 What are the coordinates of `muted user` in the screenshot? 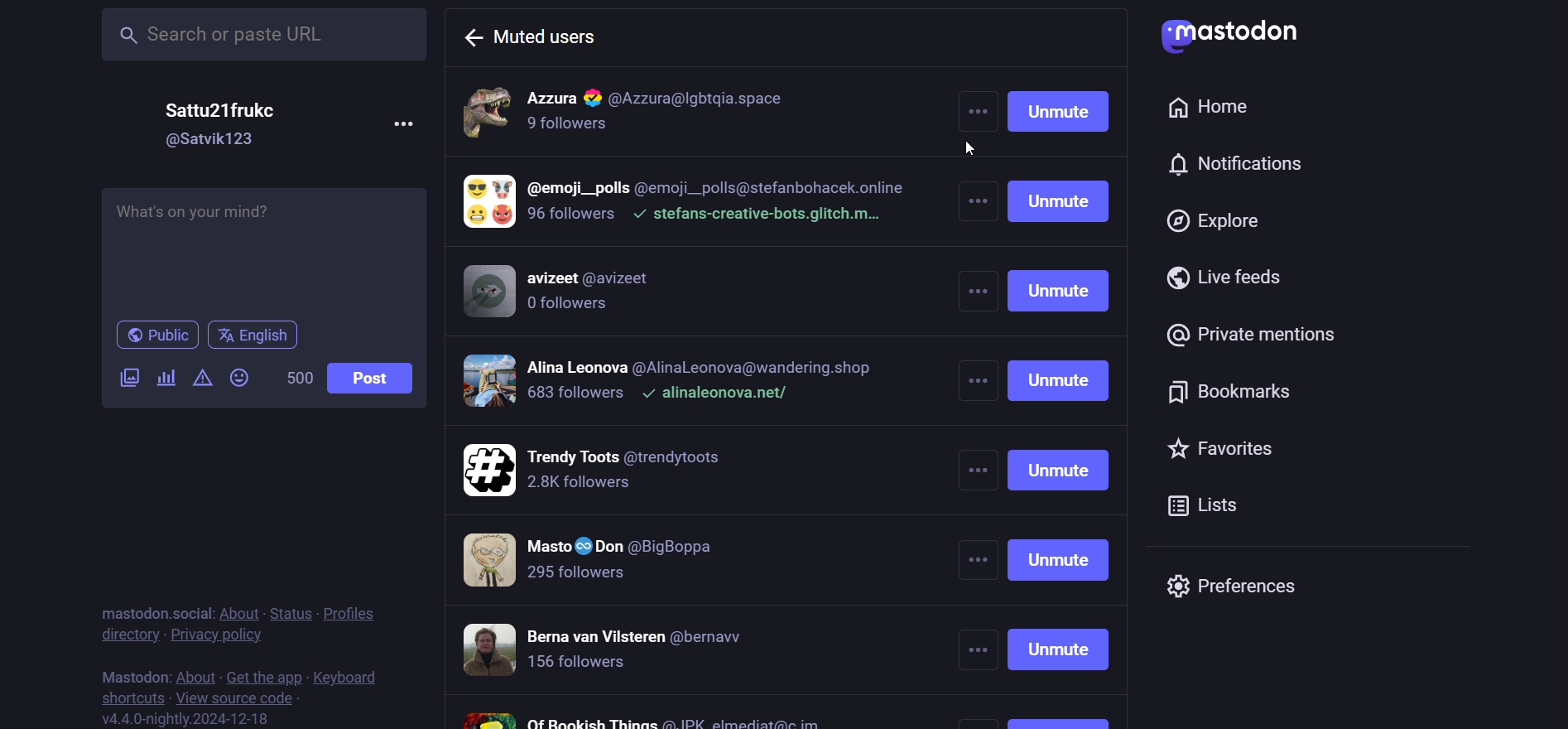 It's located at (551, 37).